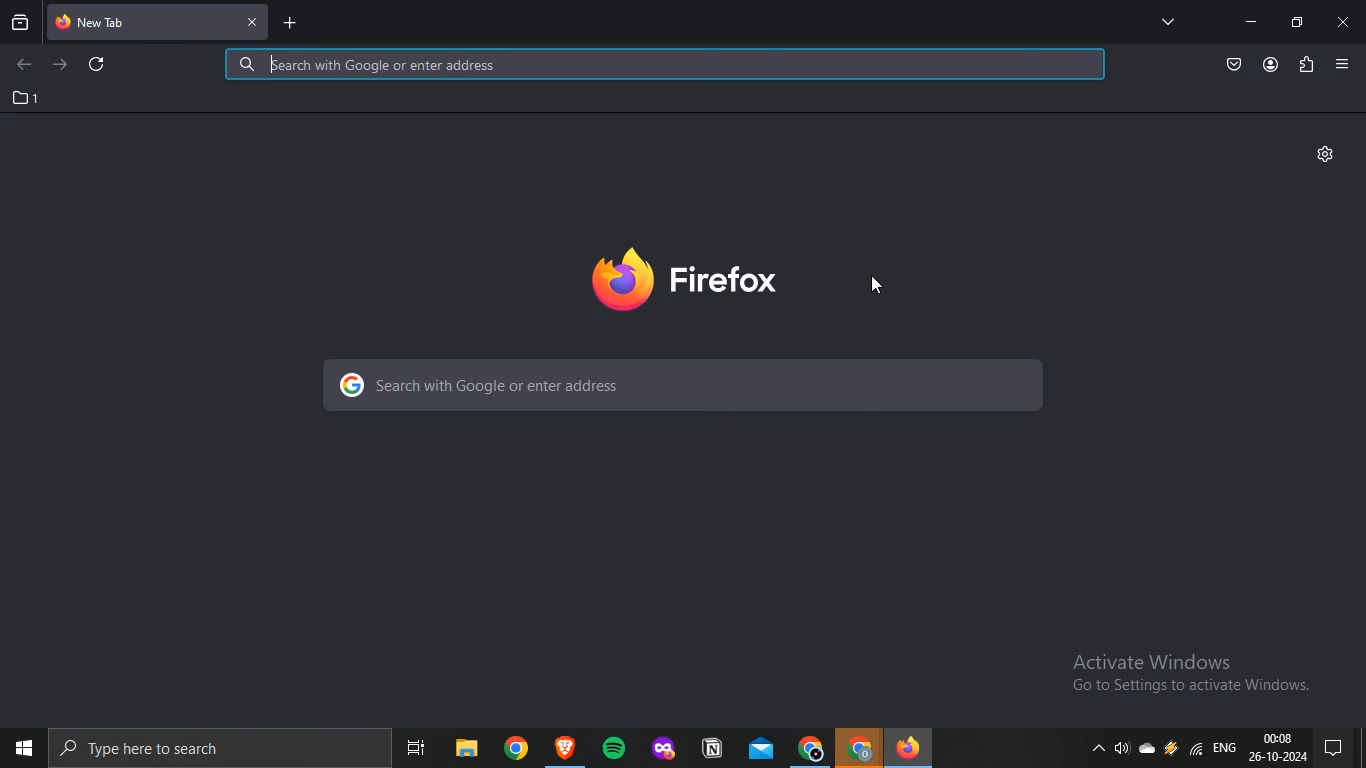  I want to click on new tab, so click(289, 25).